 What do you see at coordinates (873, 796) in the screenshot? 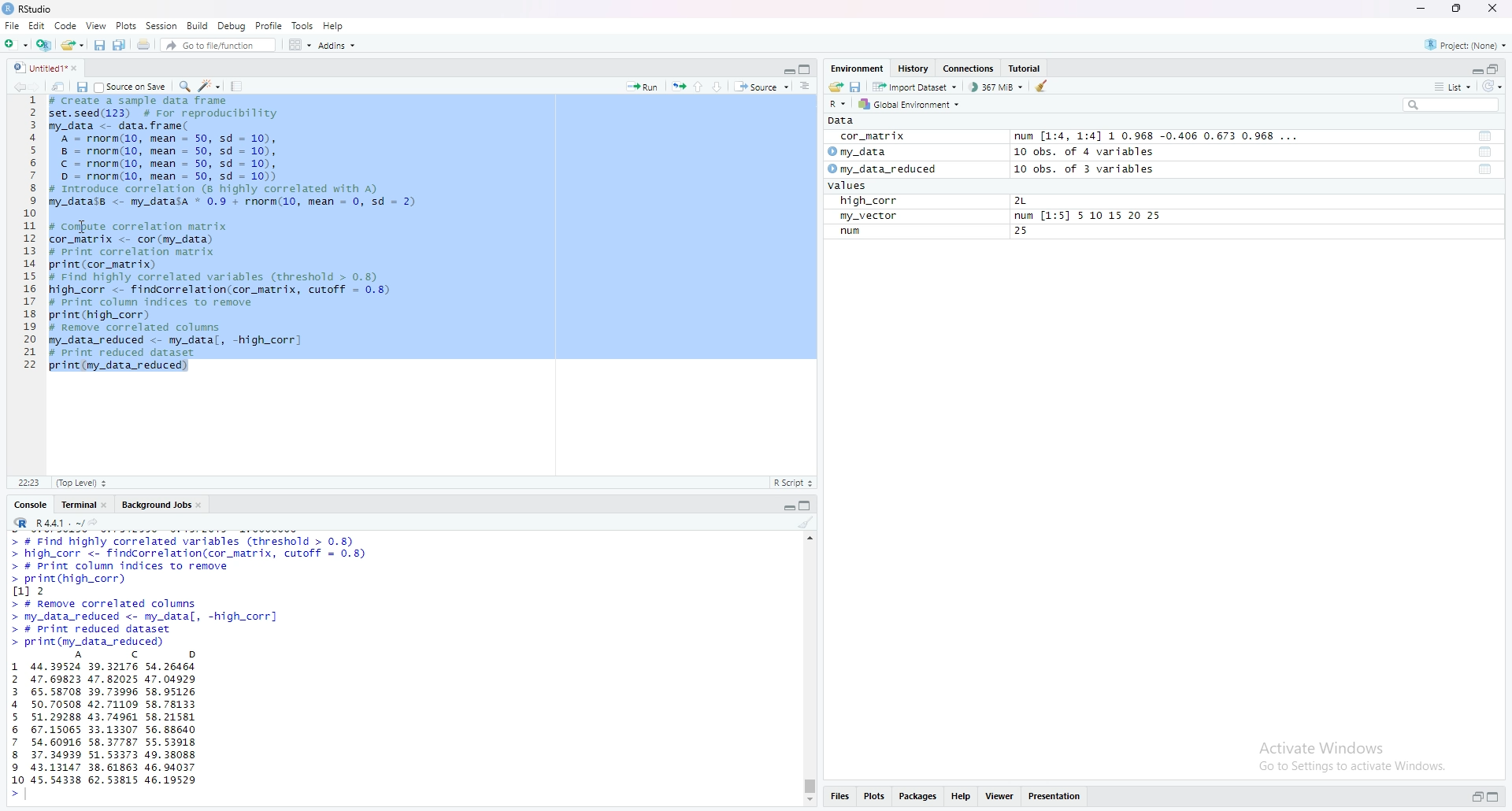
I see `Plots` at bounding box center [873, 796].